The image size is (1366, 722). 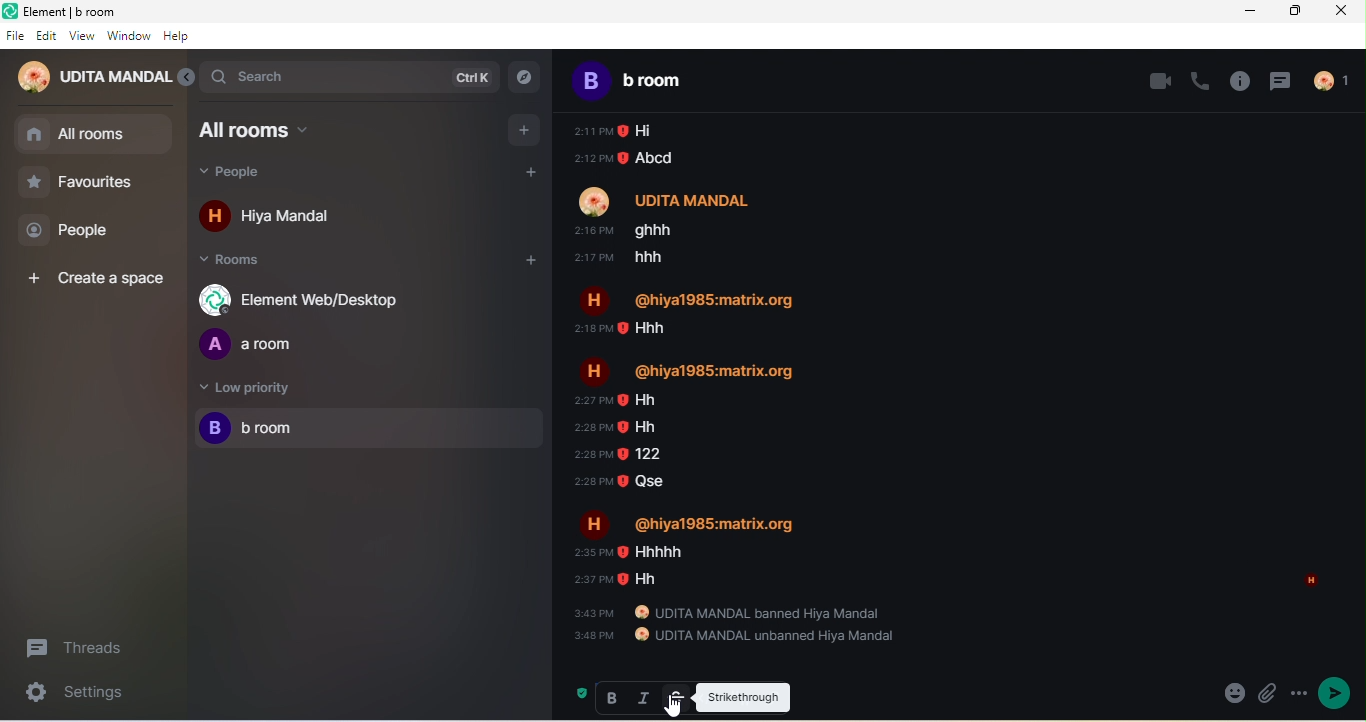 What do you see at coordinates (66, 694) in the screenshot?
I see `settings` at bounding box center [66, 694].